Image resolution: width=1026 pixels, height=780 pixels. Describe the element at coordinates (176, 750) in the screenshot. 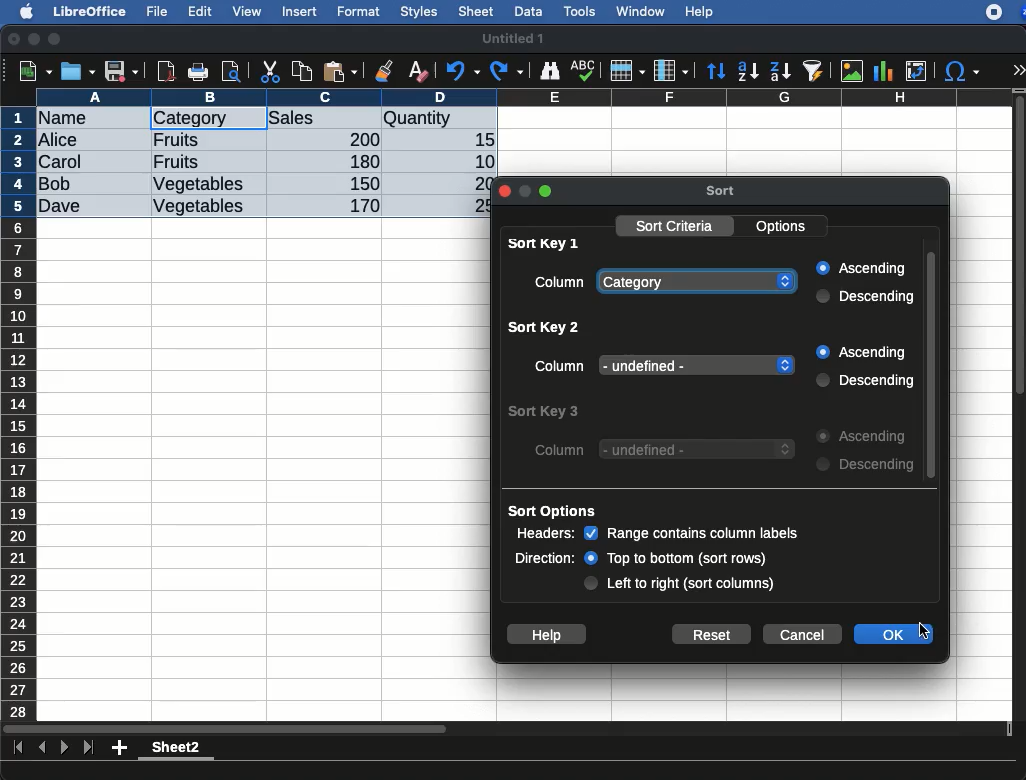

I see `sheet 2` at that location.